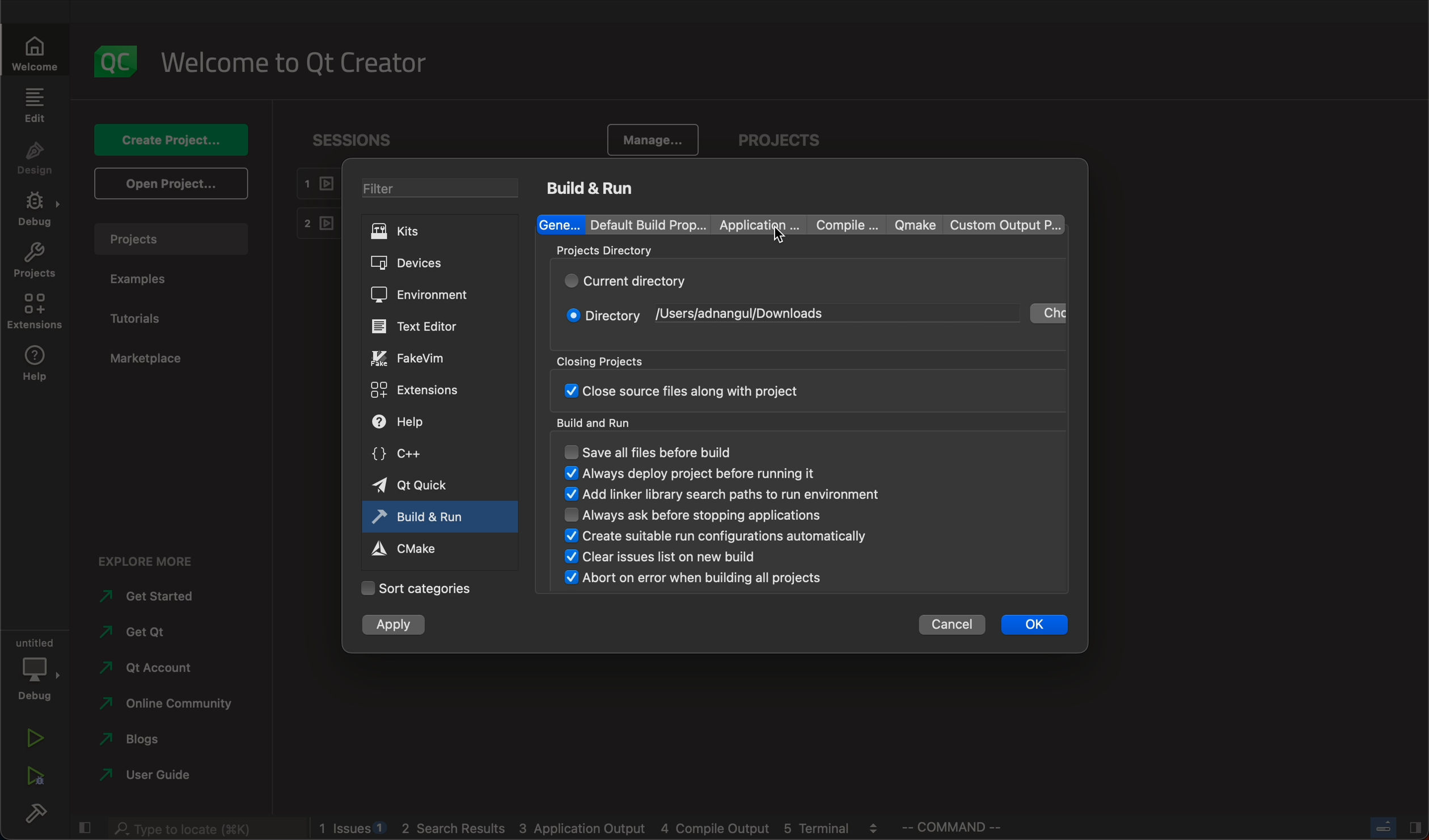 This screenshot has width=1429, height=840. What do you see at coordinates (667, 557) in the screenshot?
I see `' Clear issues list on new build` at bounding box center [667, 557].